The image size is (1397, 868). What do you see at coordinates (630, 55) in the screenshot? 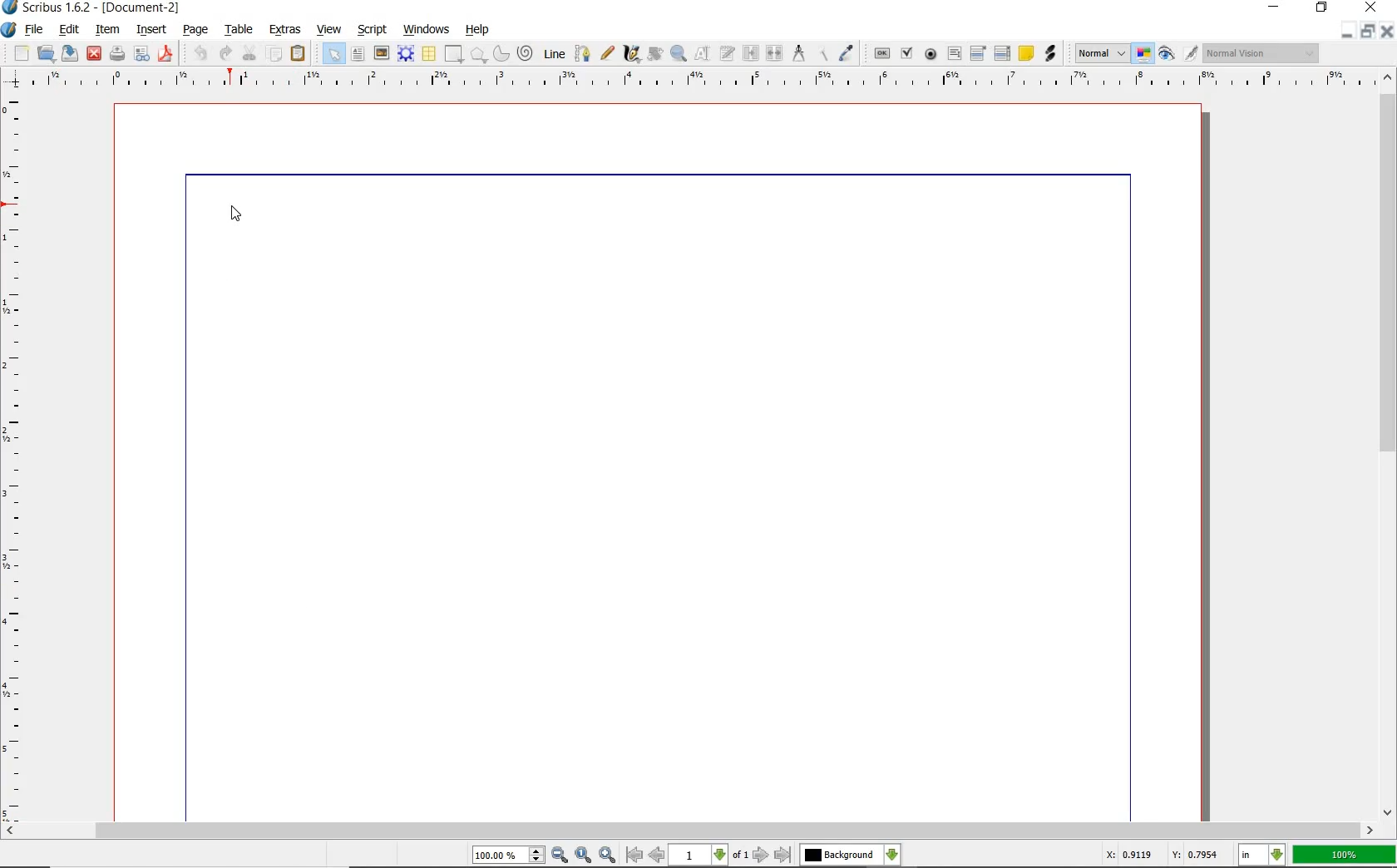
I see `calligraphic line` at bounding box center [630, 55].